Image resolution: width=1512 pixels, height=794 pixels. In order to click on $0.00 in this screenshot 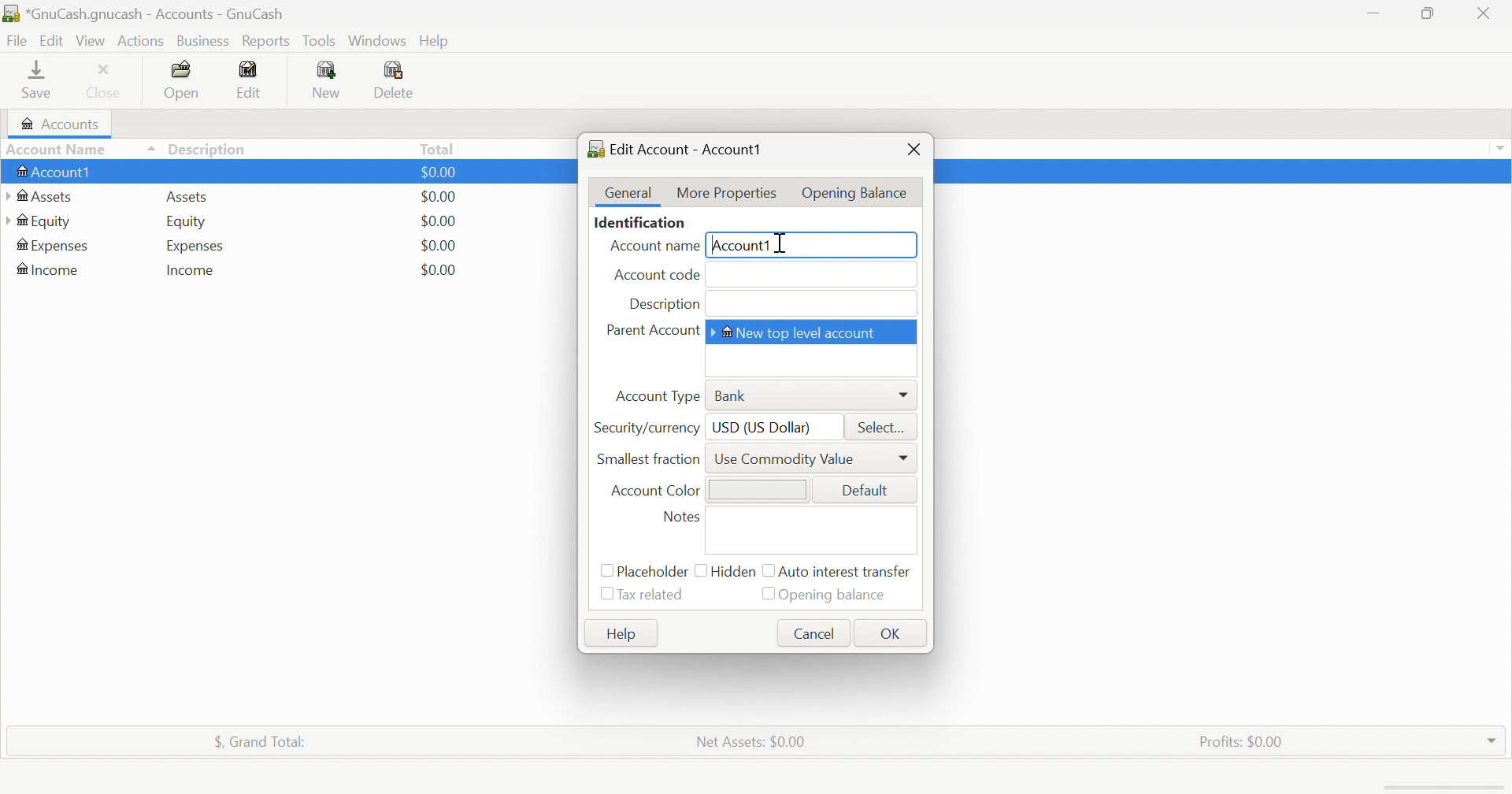, I will do `click(438, 244)`.